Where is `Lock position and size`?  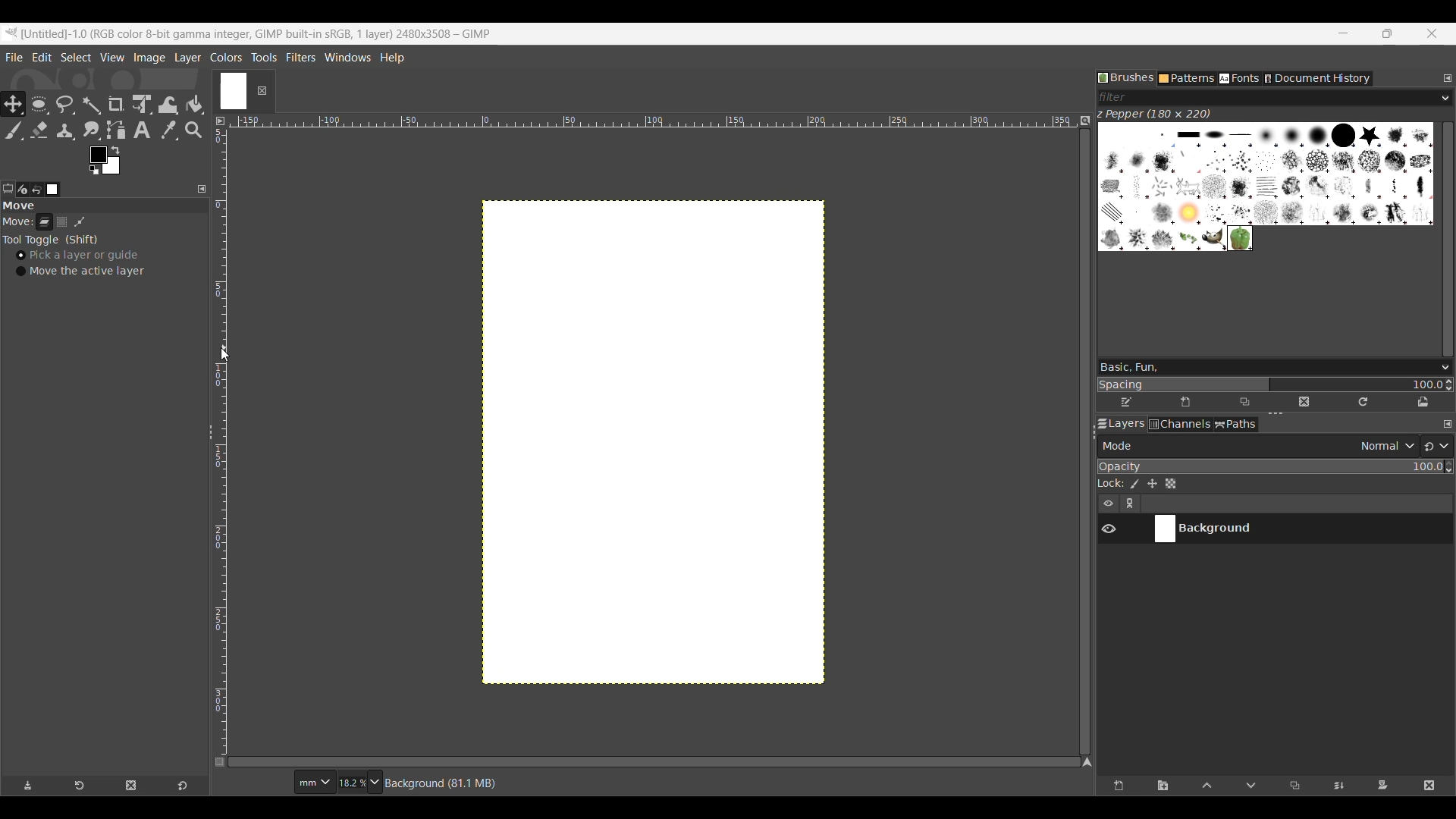 Lock position and size is located at coordinates (1152, 484).